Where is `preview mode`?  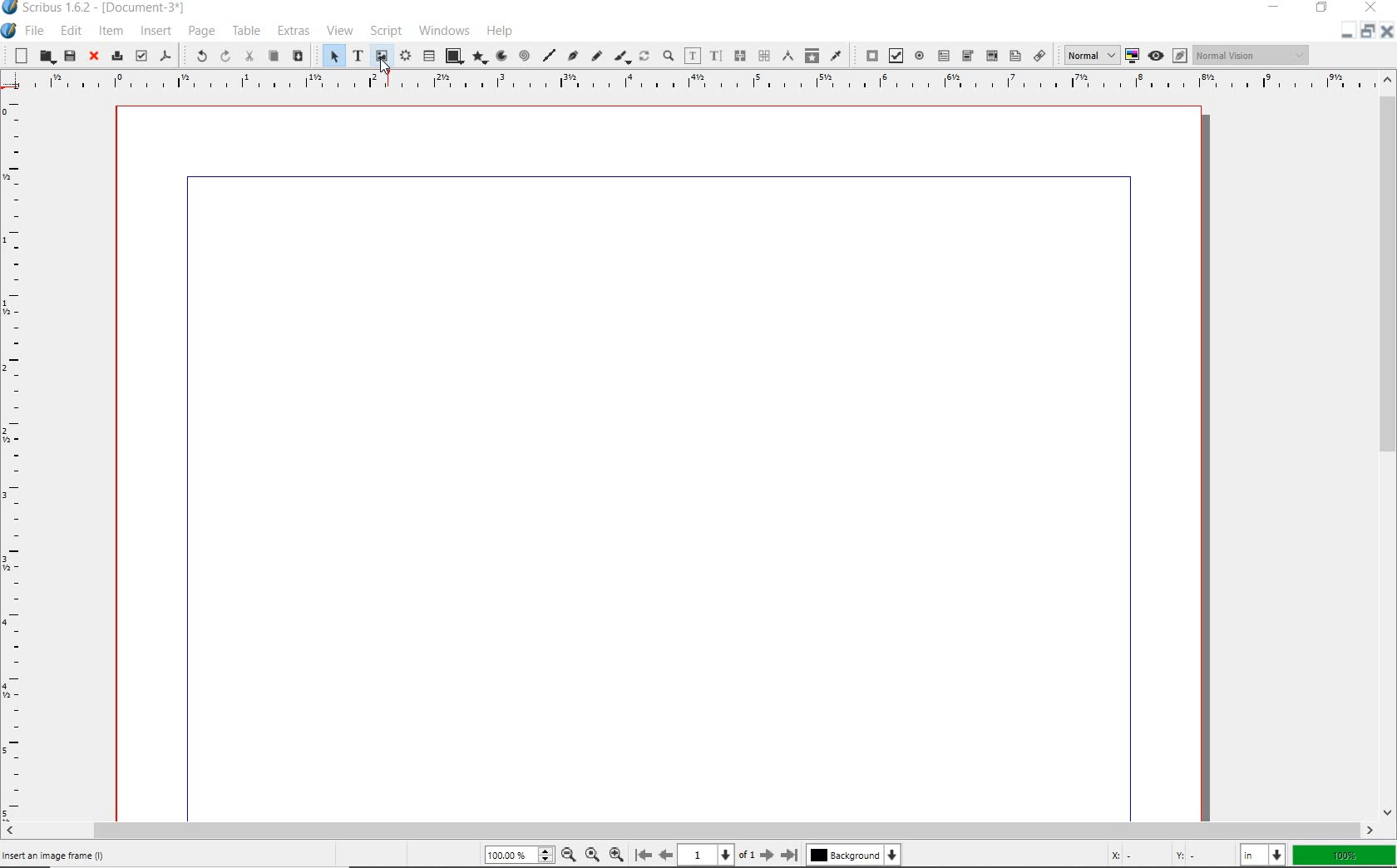 preview mode is located at coordinates (1168, 55).